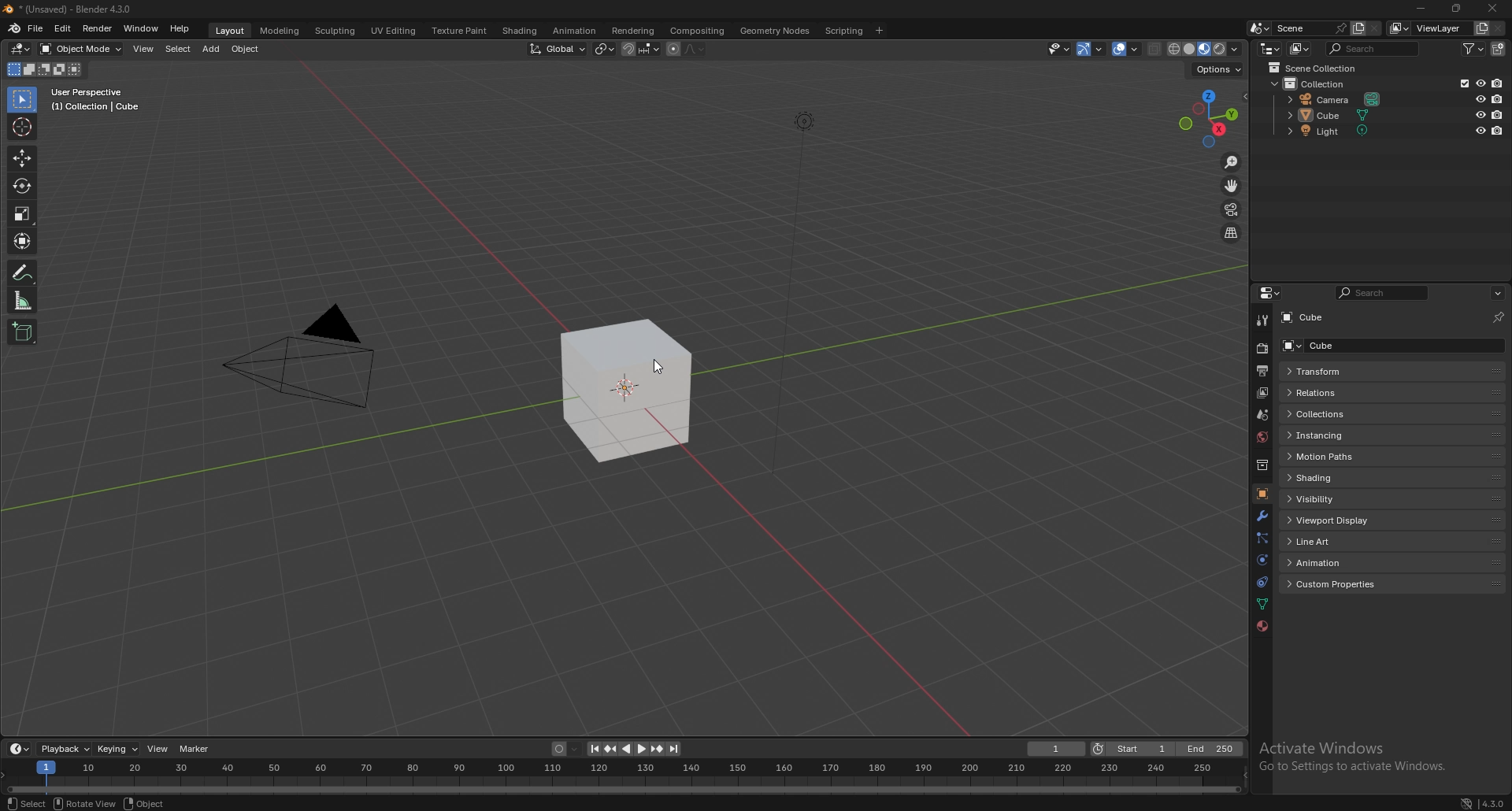 The image size is (1512, 811). I want to click on view, so click(143, 49).